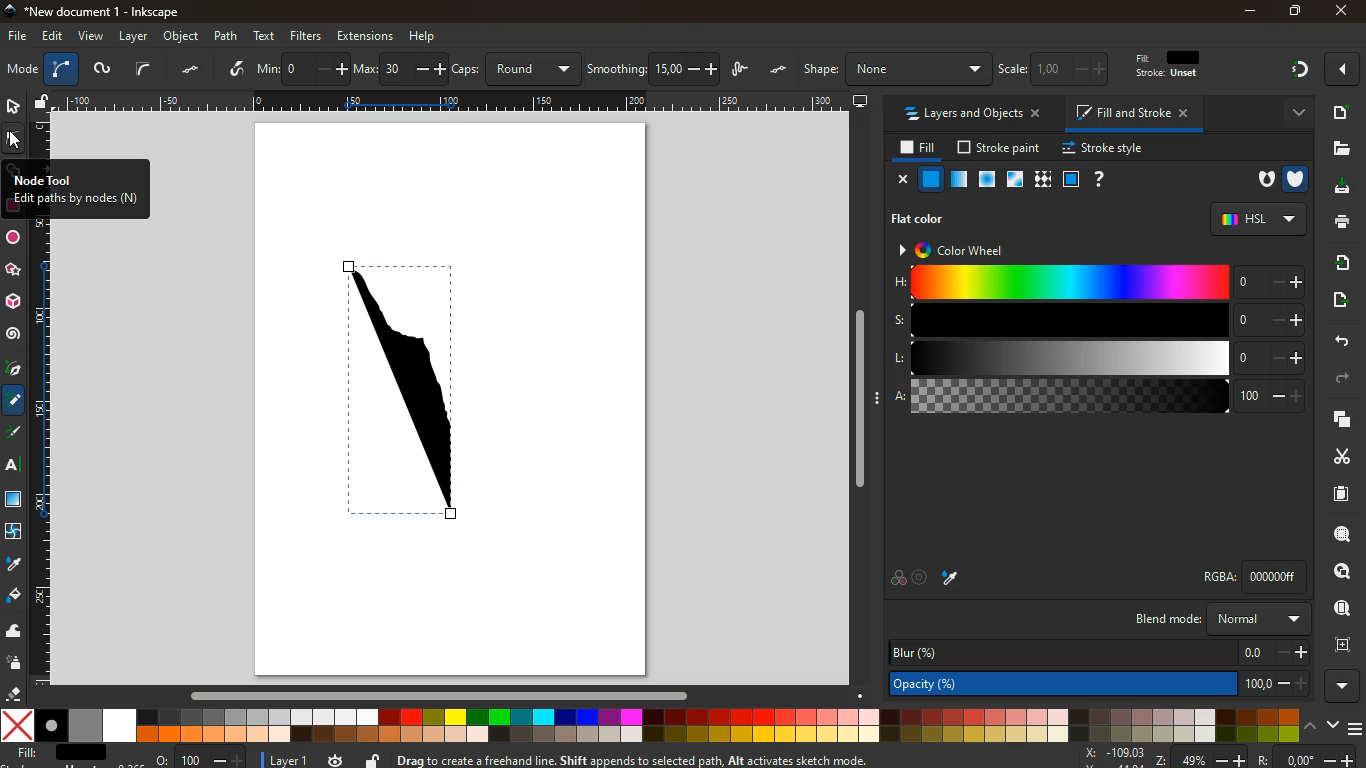  I want to click on close, so click(1345, 70).